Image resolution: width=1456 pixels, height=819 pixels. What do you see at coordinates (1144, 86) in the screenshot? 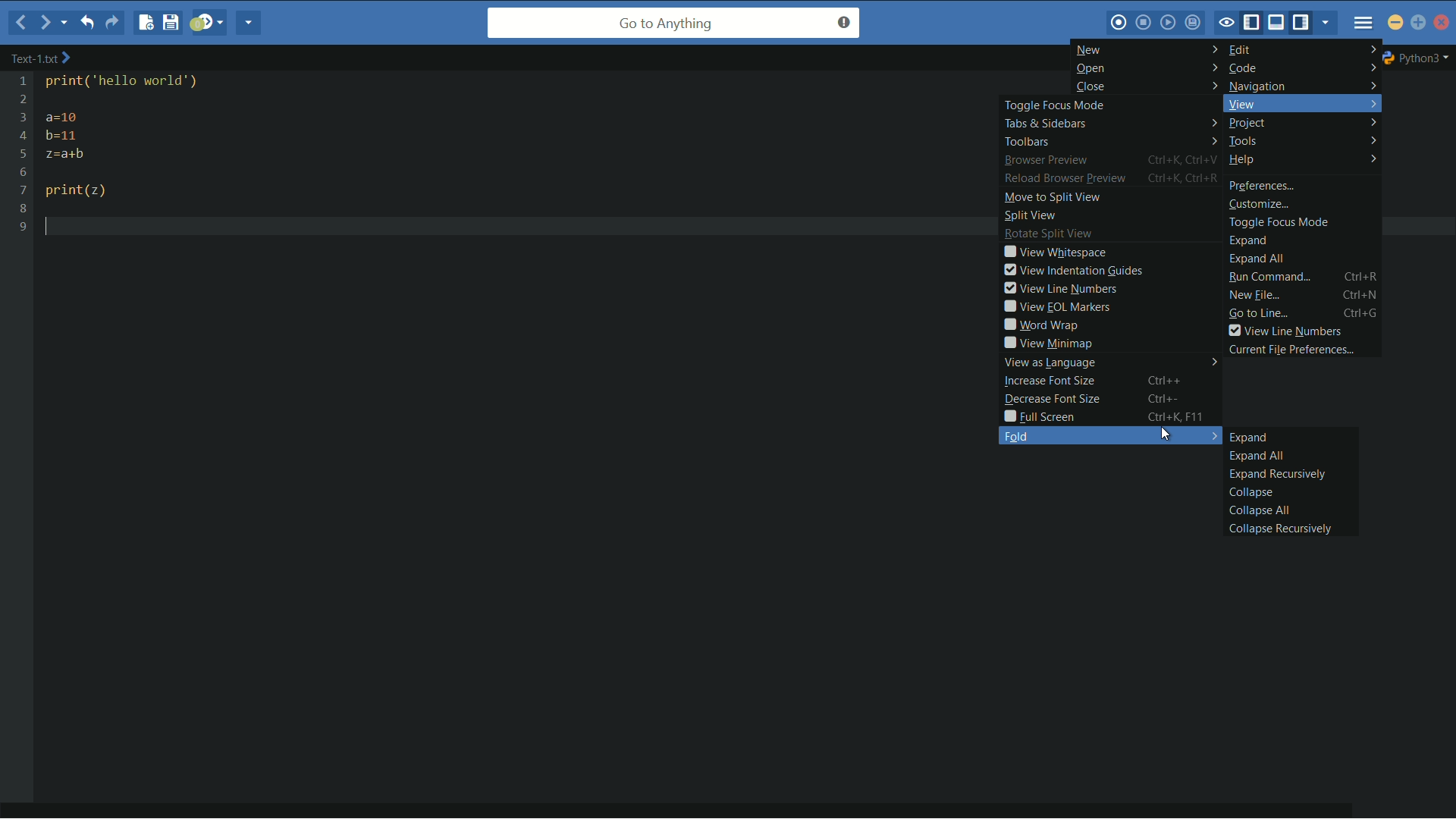
I see `close` at bounding box center [1144, 86].